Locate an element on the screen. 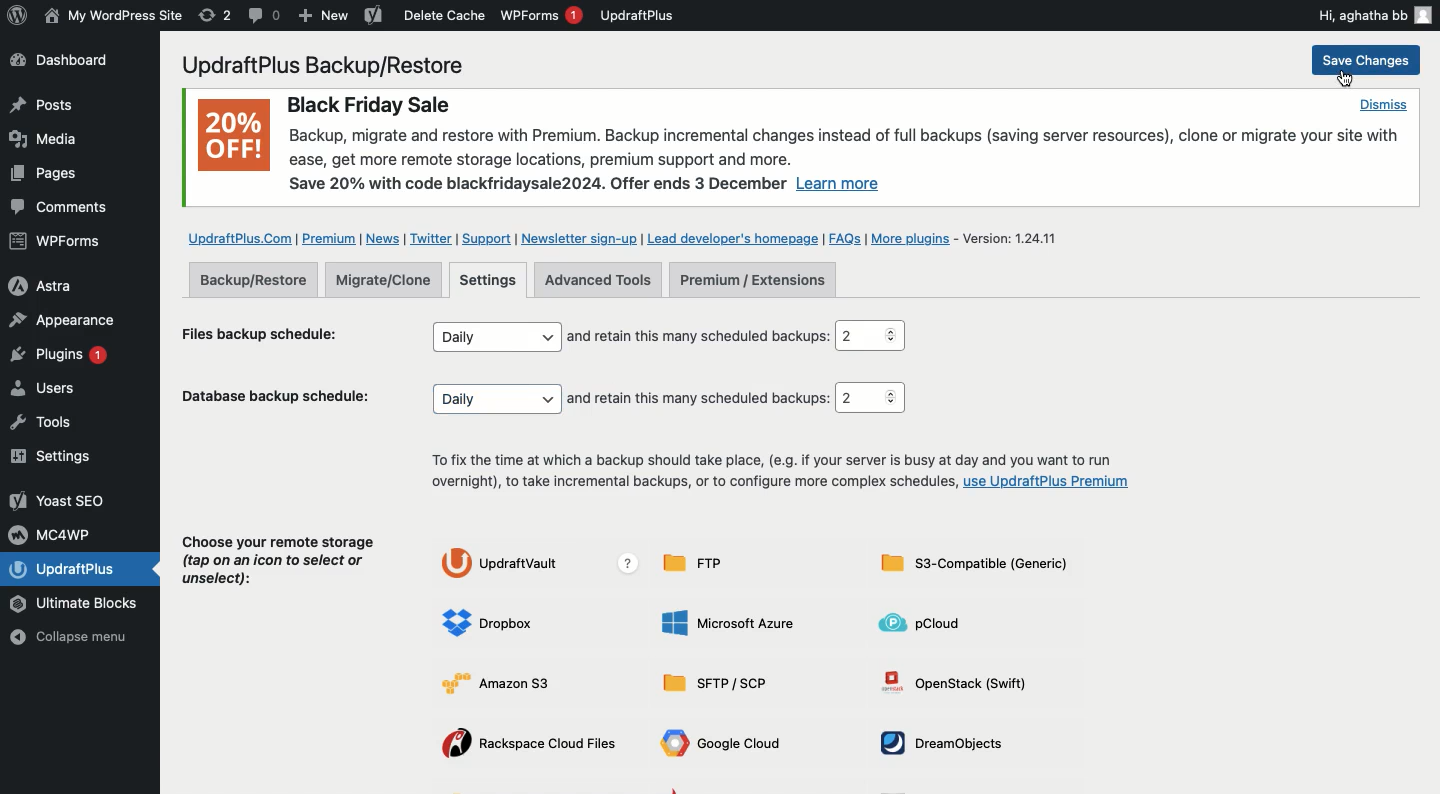  Backup, migrate and restore with Premium. Backup incremental changes instead of full backups (saving server resources), clone or migrate your site withease, get more remote storage locations, premium support and more. Save 20% with code blackfridaysale2024. Offer ends 3 December Learn more is located at coordinates (849, 161).